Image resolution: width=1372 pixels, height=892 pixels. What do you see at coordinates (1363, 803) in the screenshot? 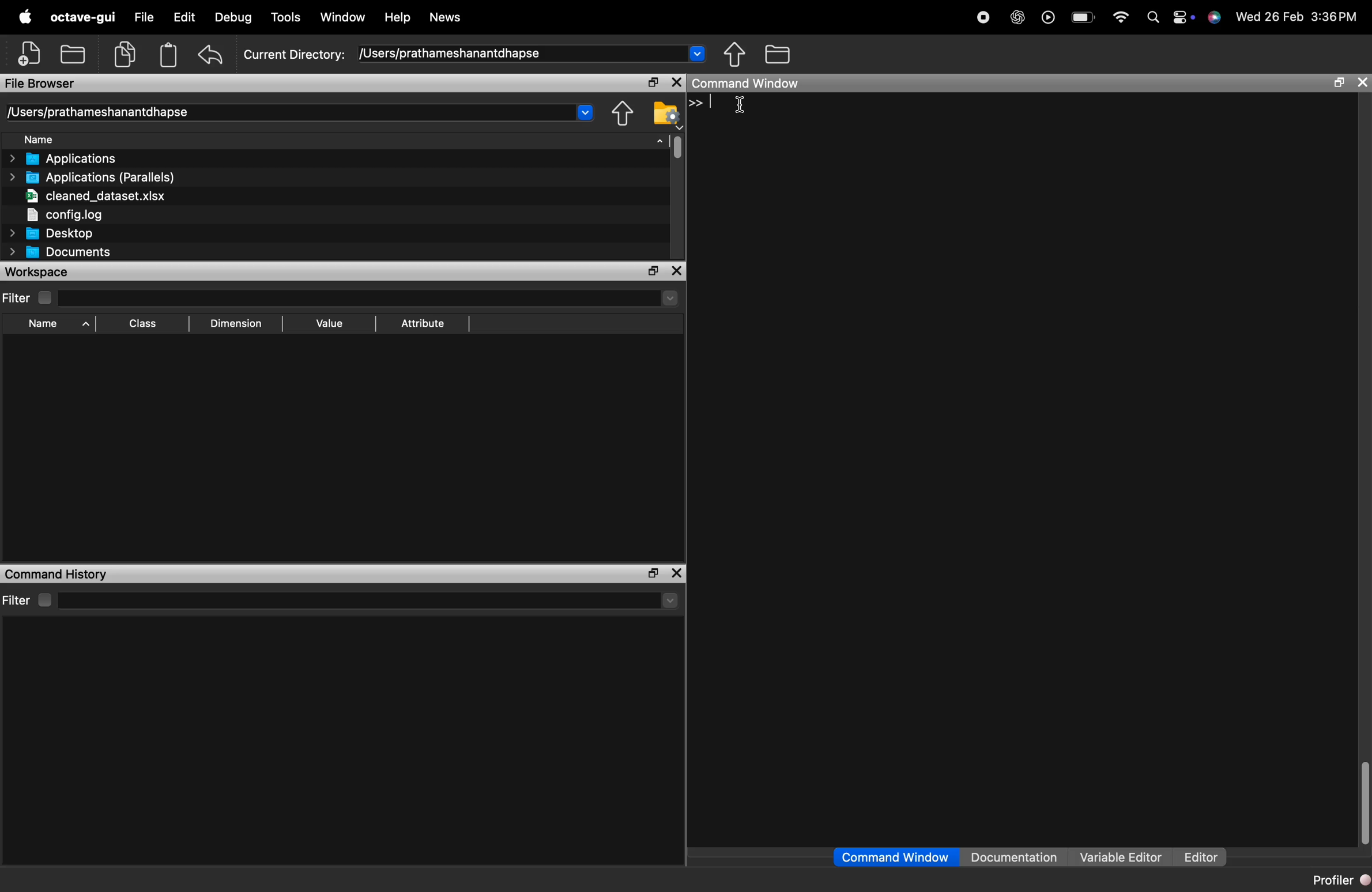
I see `vertical scrollbar` at bounding box center [1363, 803].